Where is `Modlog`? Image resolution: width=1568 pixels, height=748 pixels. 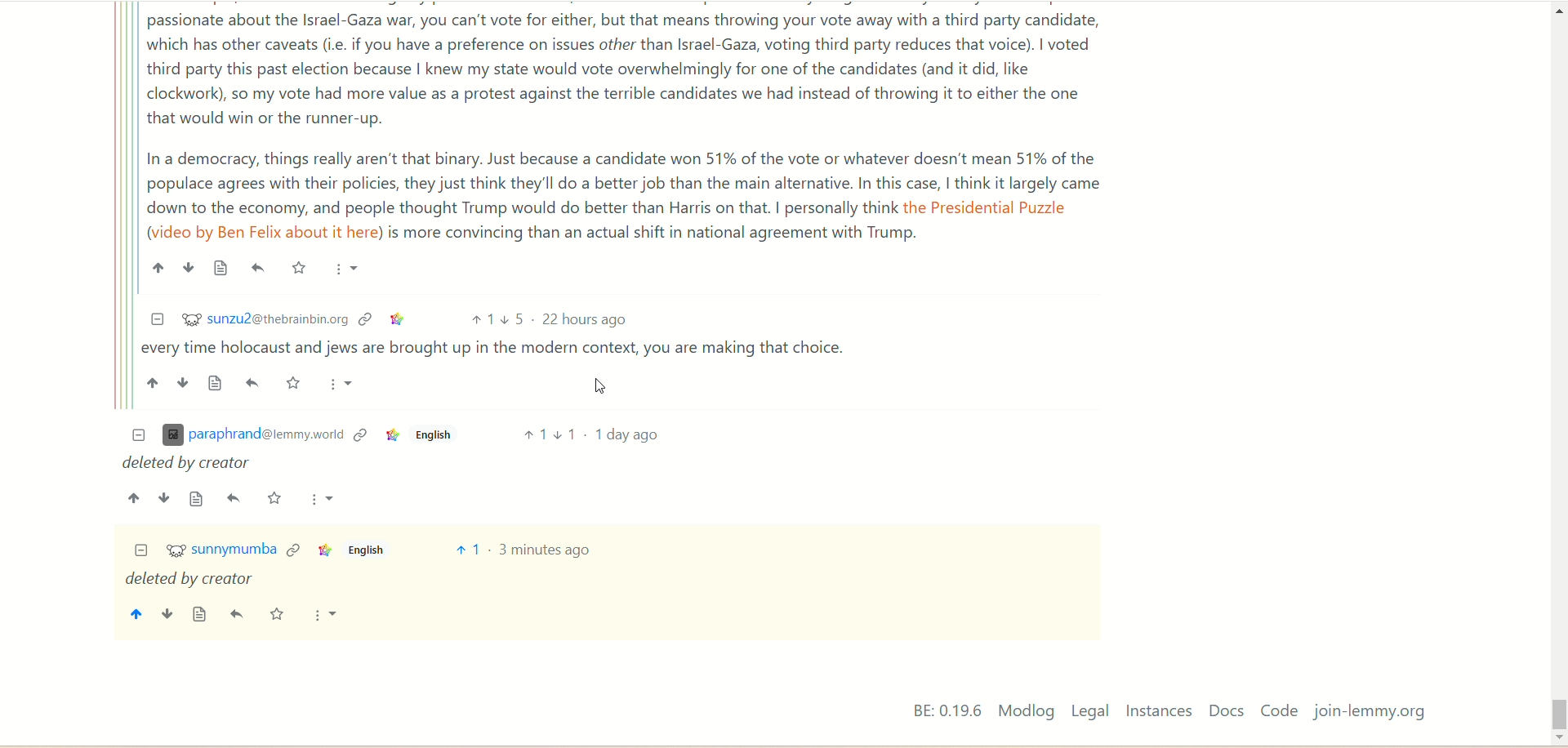
Modlog is located at coordinates (1026, 710).